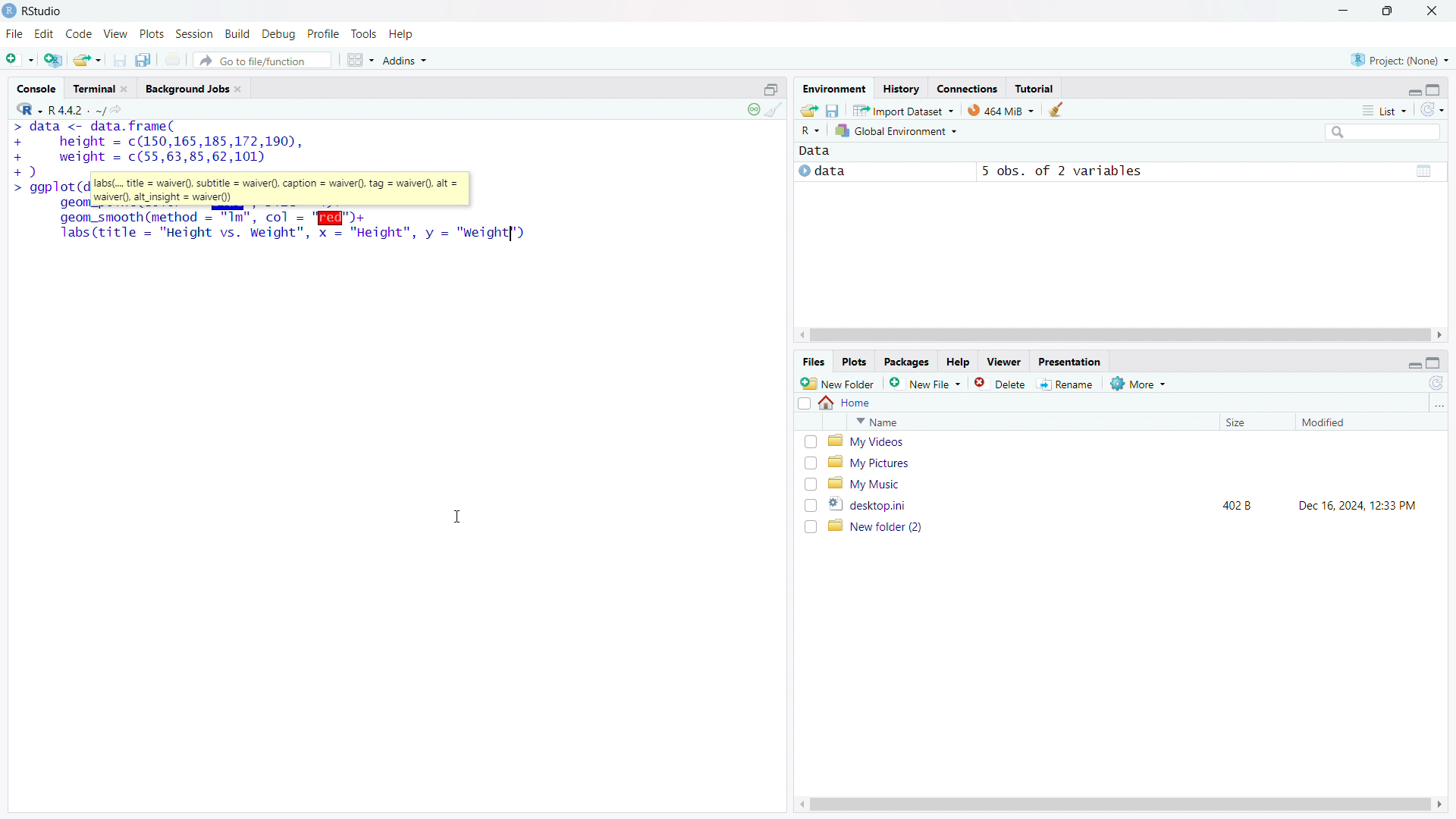  I want to click on profile, so click(324, 34).